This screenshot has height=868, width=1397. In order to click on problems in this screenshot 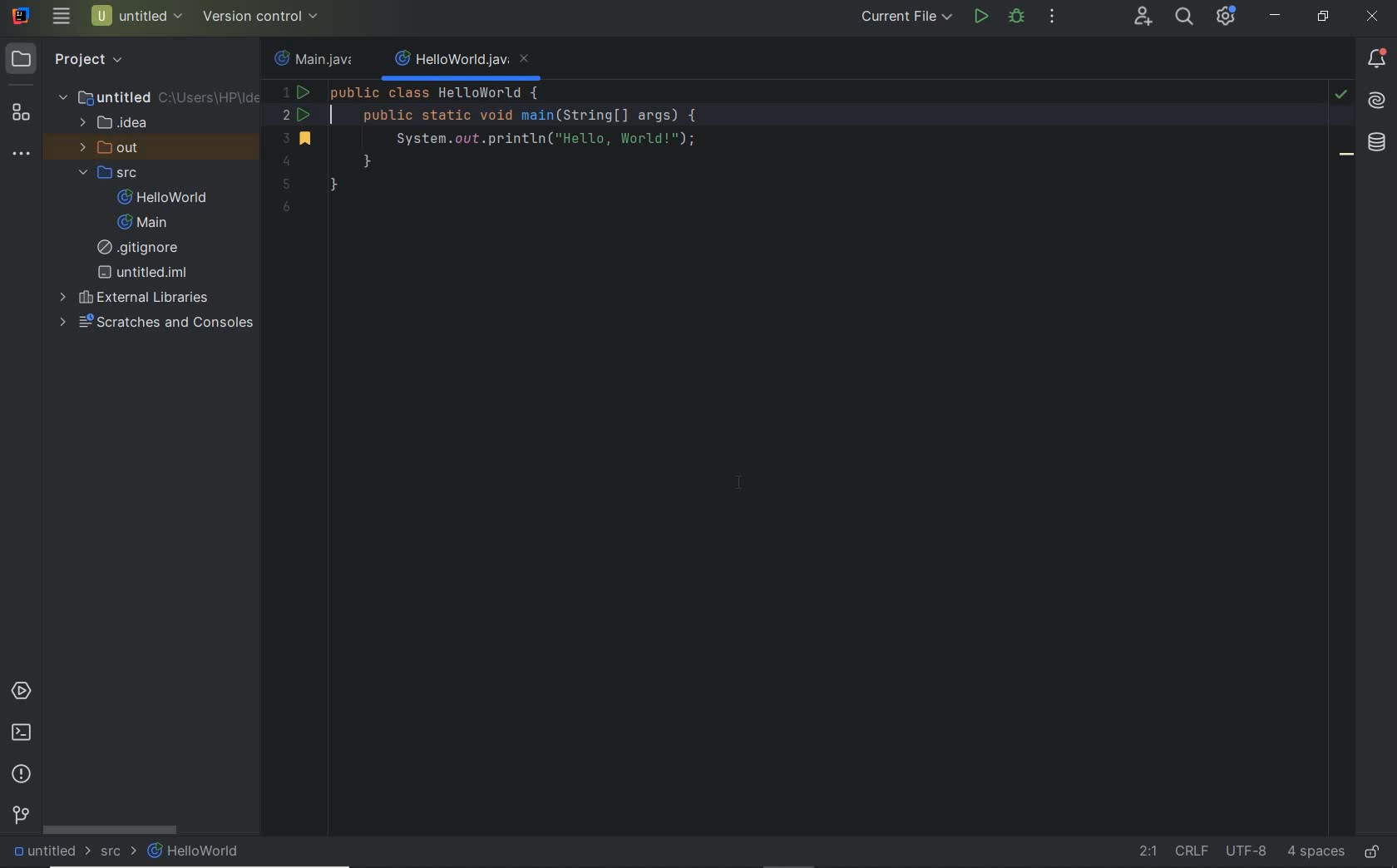, I will do `click(21, 776)`.